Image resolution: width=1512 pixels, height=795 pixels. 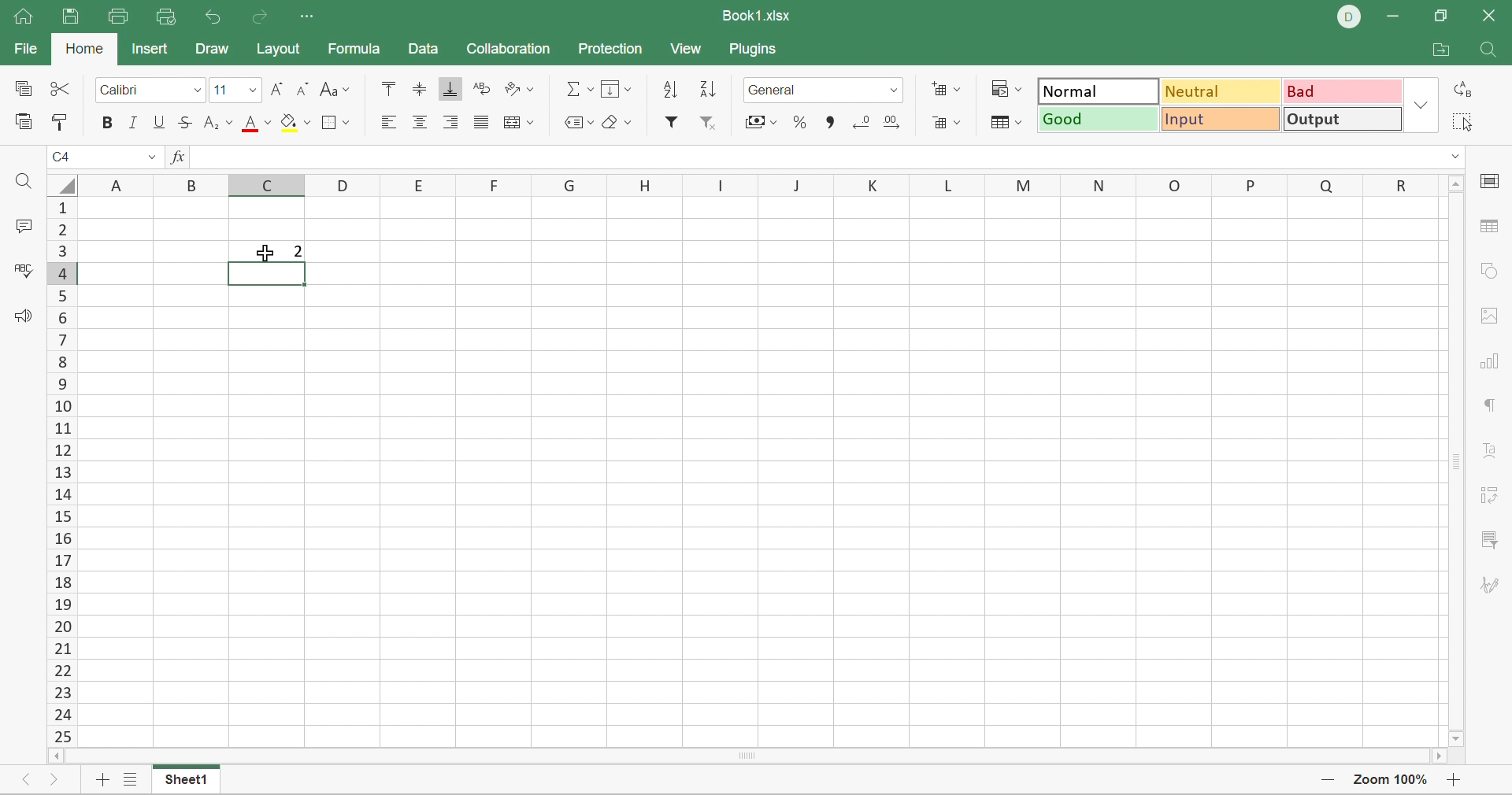 I want to click on Format table as template, so click(x=1008, y=122).